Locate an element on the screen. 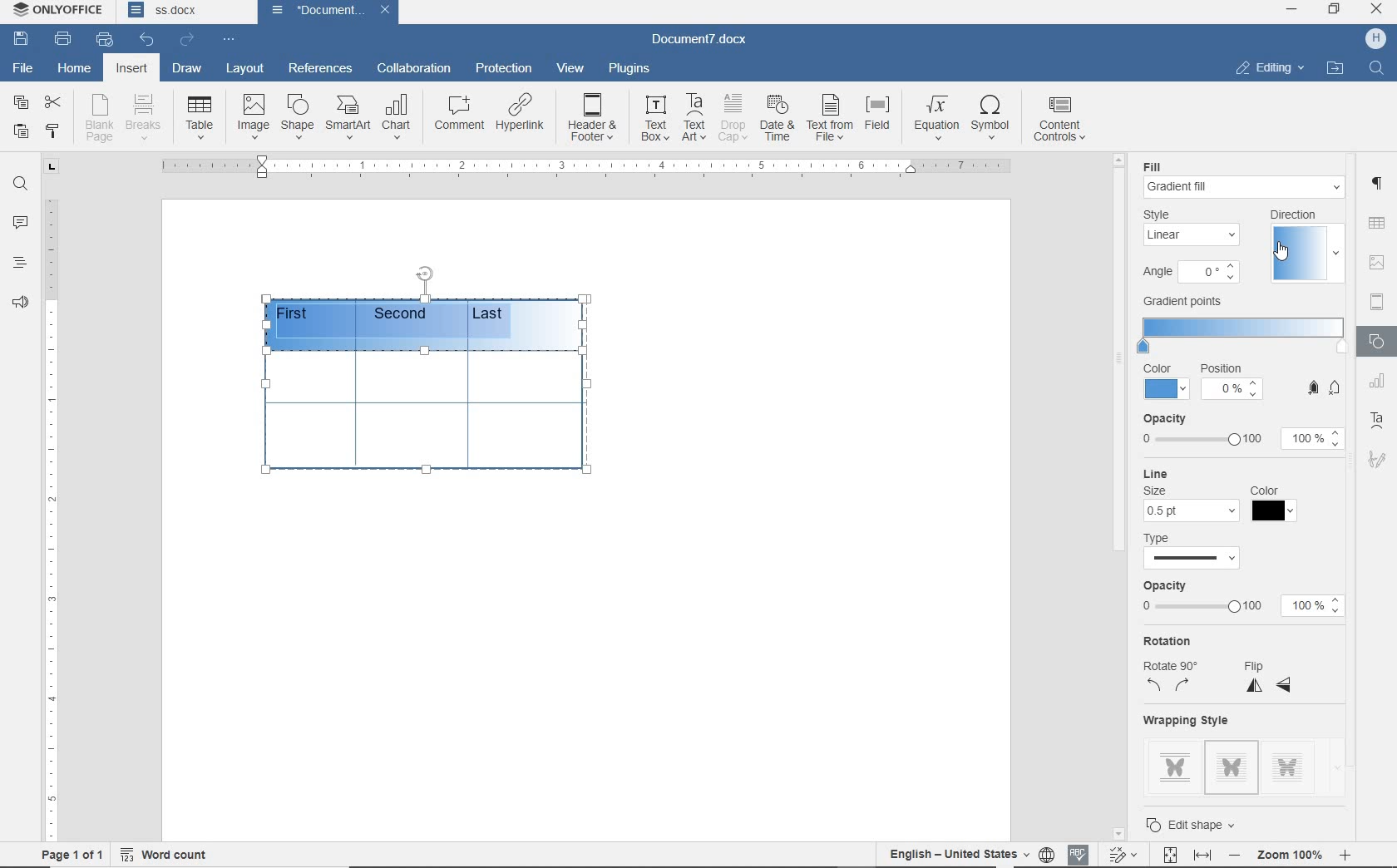 Image resolution: width=1397 pixels, height=868 pixels. flip is located at coordinates (1271, 680).